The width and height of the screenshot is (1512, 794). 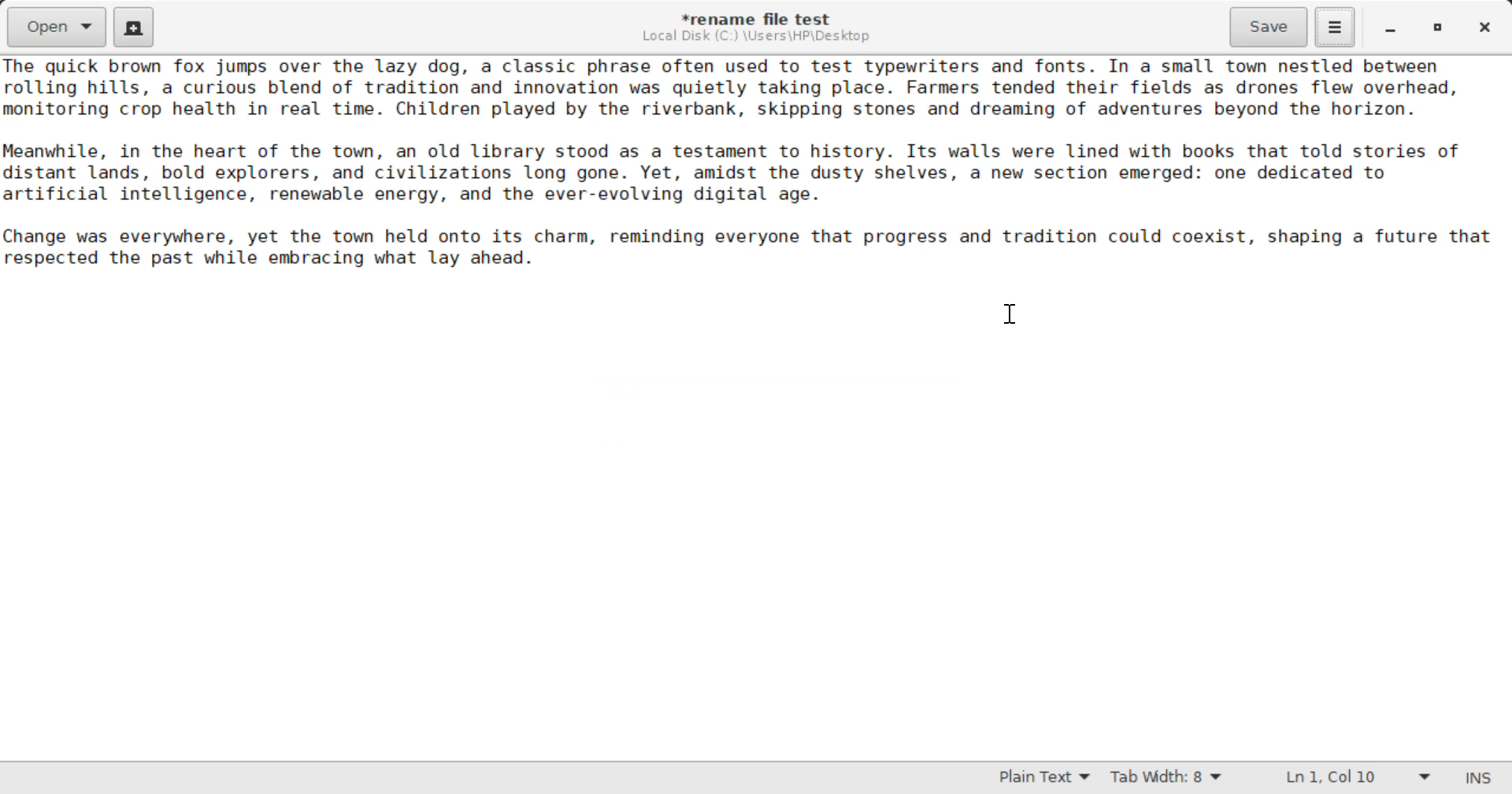 What do you see at coordinates (760, 38) in the screenshot?
I see `File Location` at bounding box center [760, 38].